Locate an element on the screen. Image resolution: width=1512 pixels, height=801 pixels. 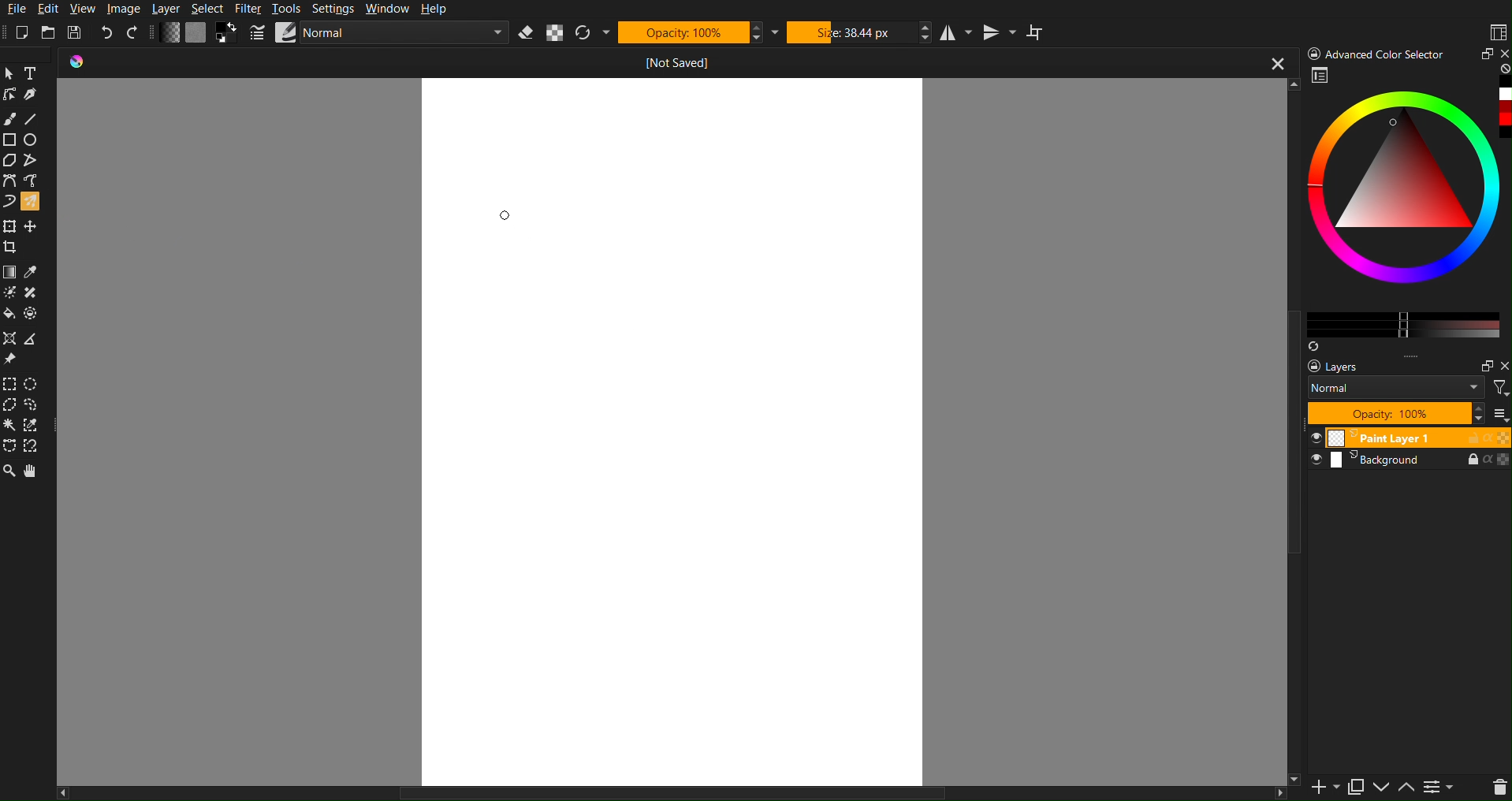
FIle is located at coordinates (18, 9).